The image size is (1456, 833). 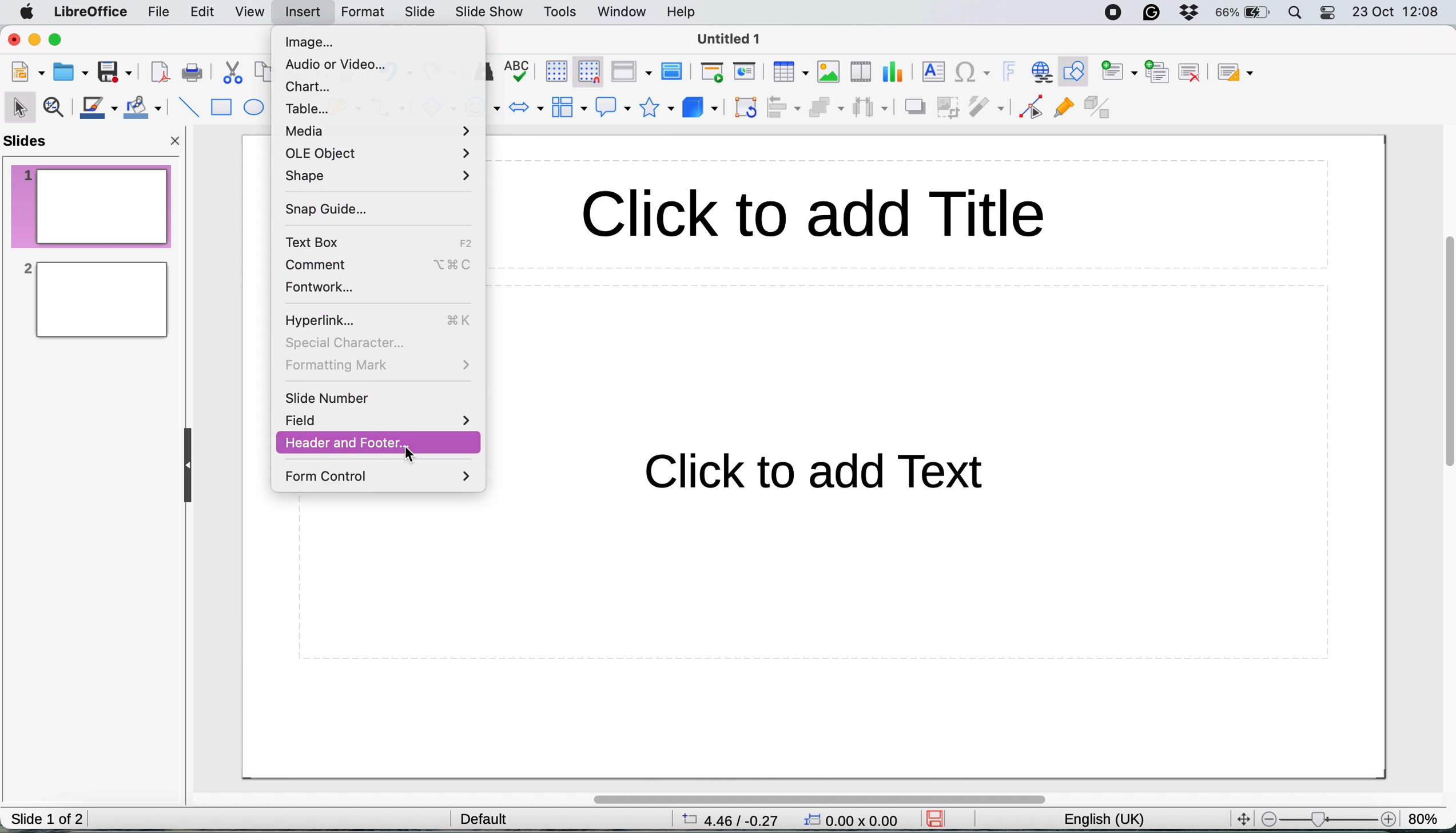 What do you see at coordinates (301, 11) in the screenshot?
I see `insert` at bounding box center [301, 11].